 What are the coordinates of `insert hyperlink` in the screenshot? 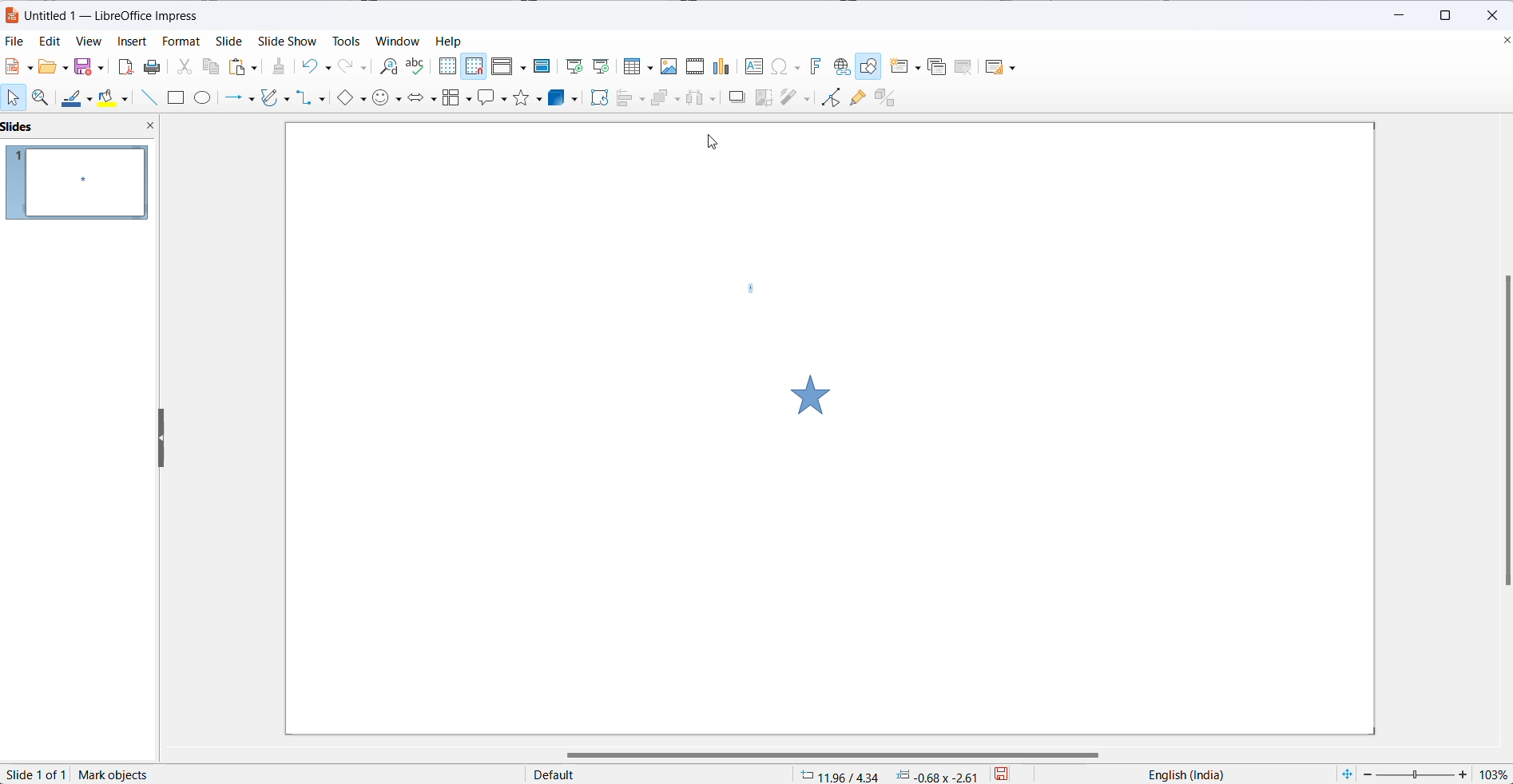 It's located at (841, 66).